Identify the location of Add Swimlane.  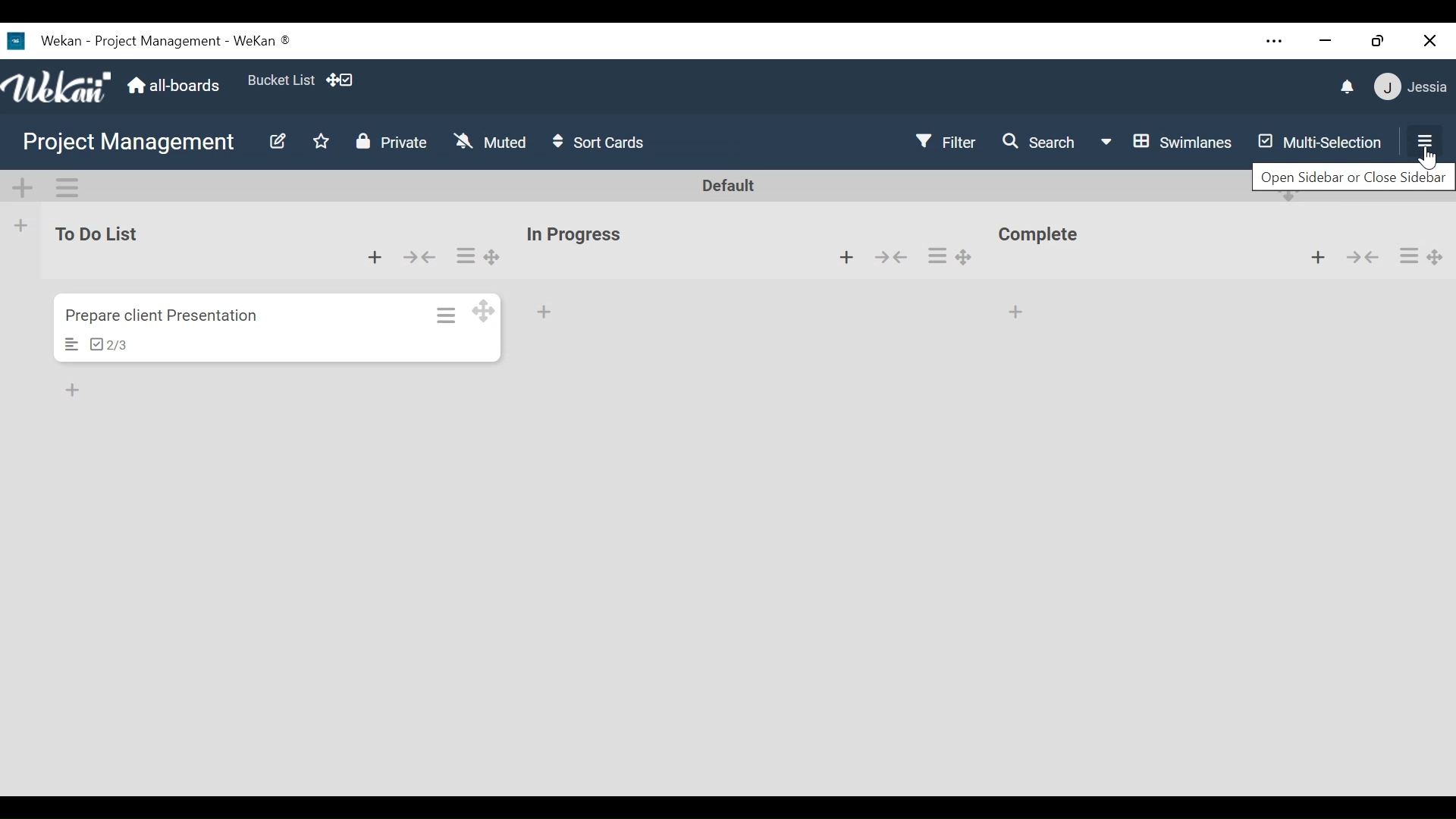
(24, 188).